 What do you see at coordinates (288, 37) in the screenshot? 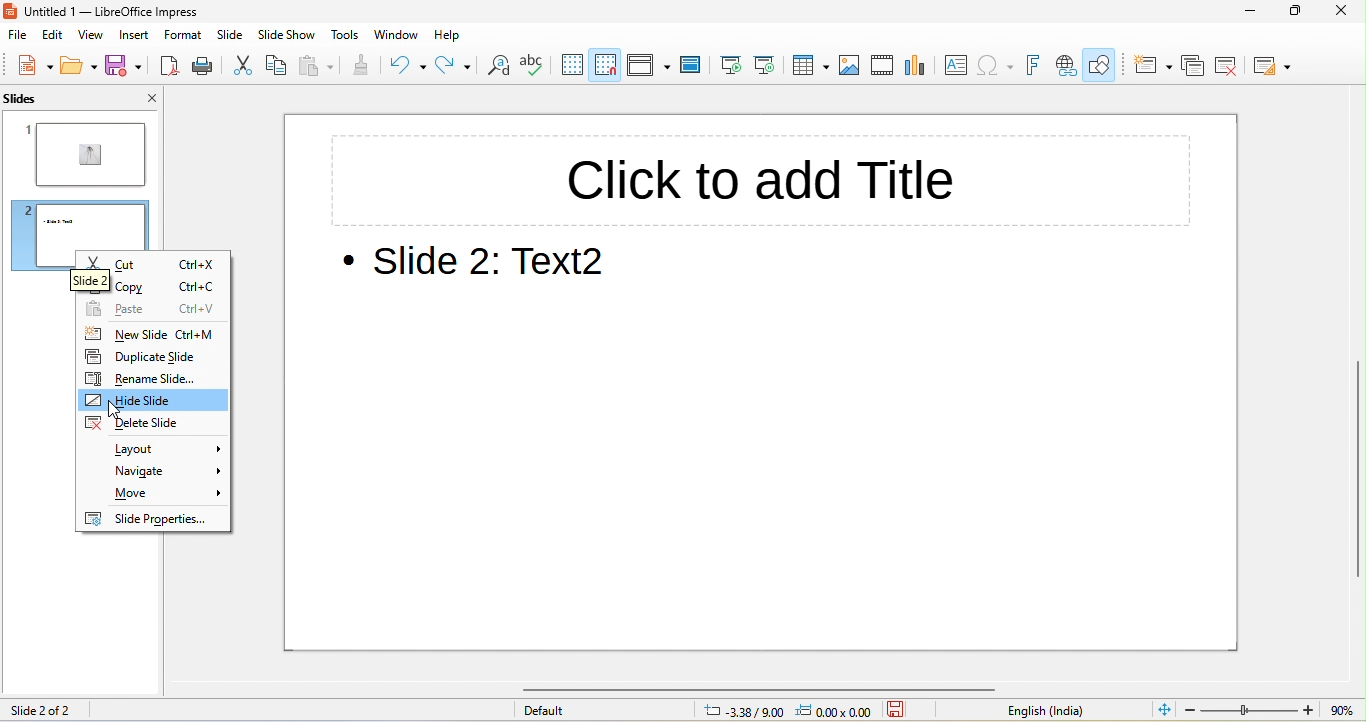
I see `slide show` at bounding box center [288, 37].